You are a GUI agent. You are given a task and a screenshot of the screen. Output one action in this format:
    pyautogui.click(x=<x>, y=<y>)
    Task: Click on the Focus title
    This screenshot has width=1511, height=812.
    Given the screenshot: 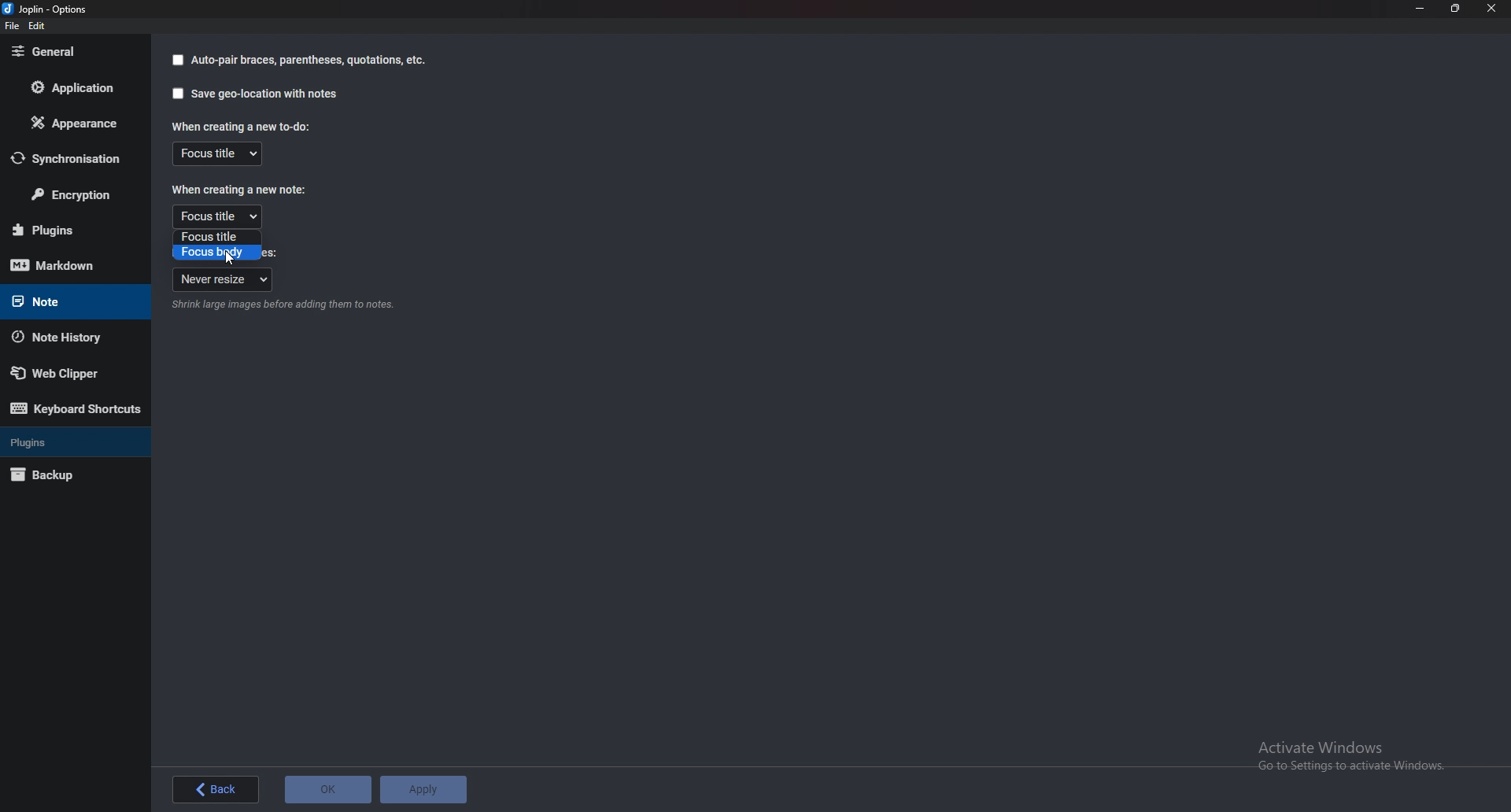 What is the action you would take?
    pyautogui.click(x=215, y=238)
    